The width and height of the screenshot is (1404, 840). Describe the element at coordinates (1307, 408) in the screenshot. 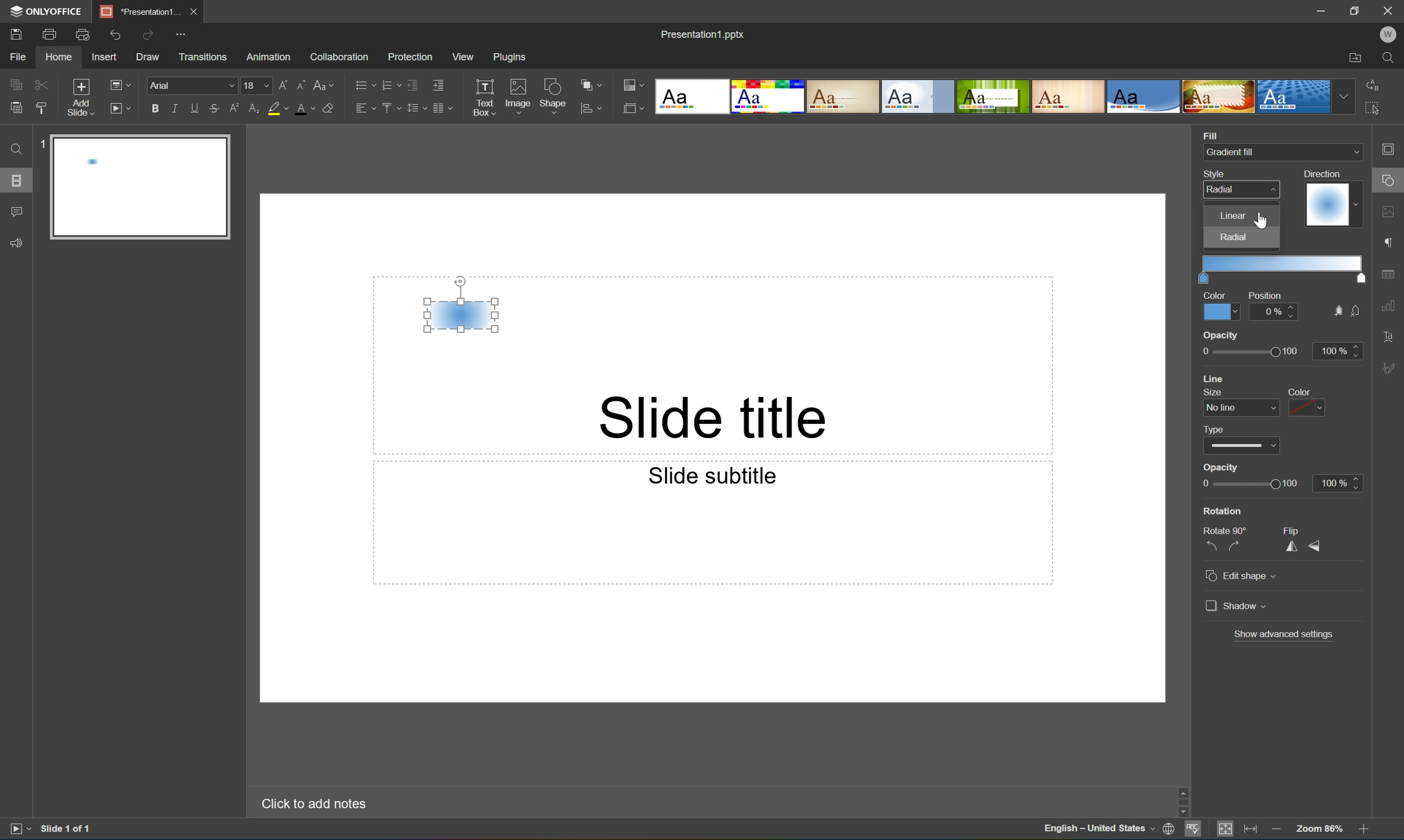

I see `color dropdown` at that location.